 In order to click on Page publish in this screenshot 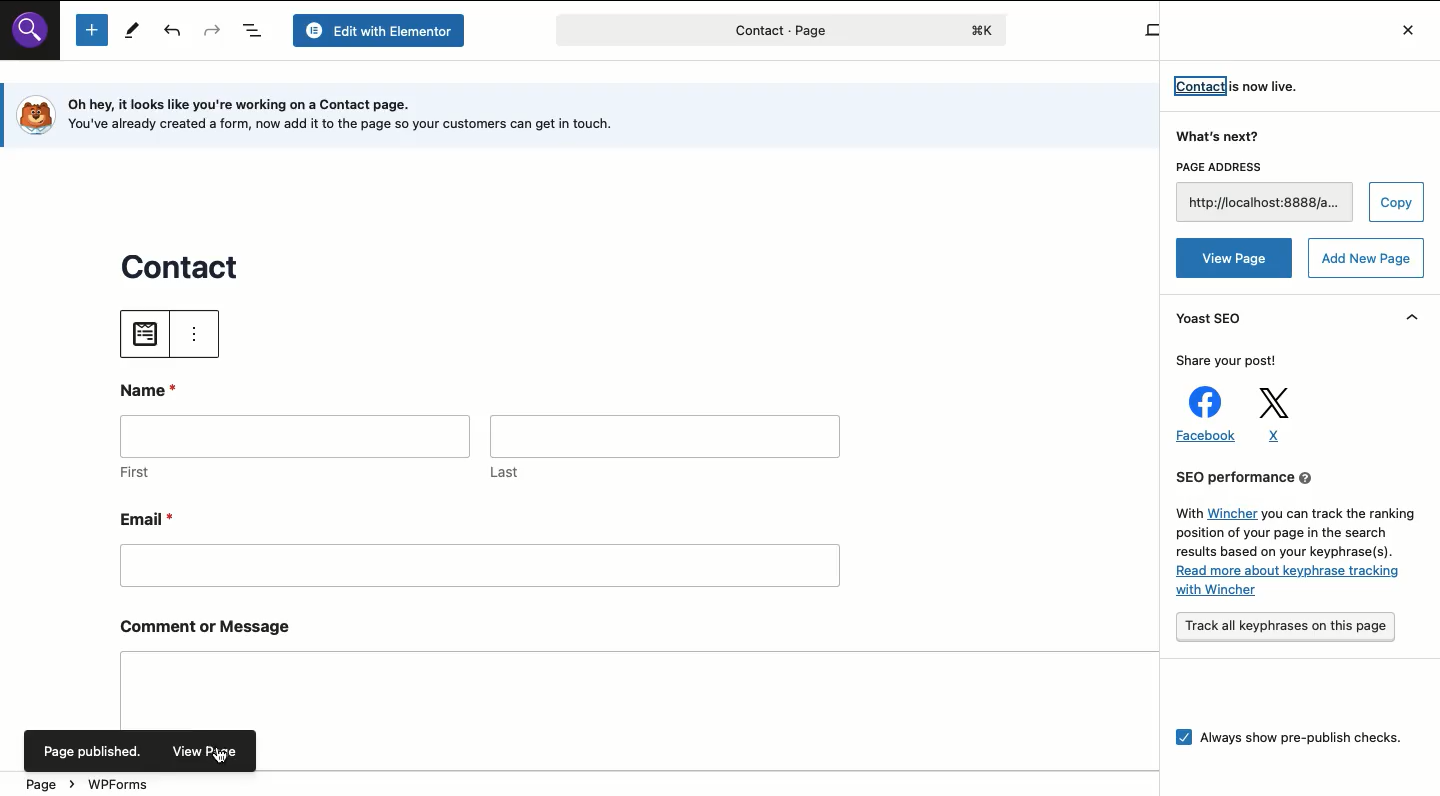, I will do `click(93, 751)`.